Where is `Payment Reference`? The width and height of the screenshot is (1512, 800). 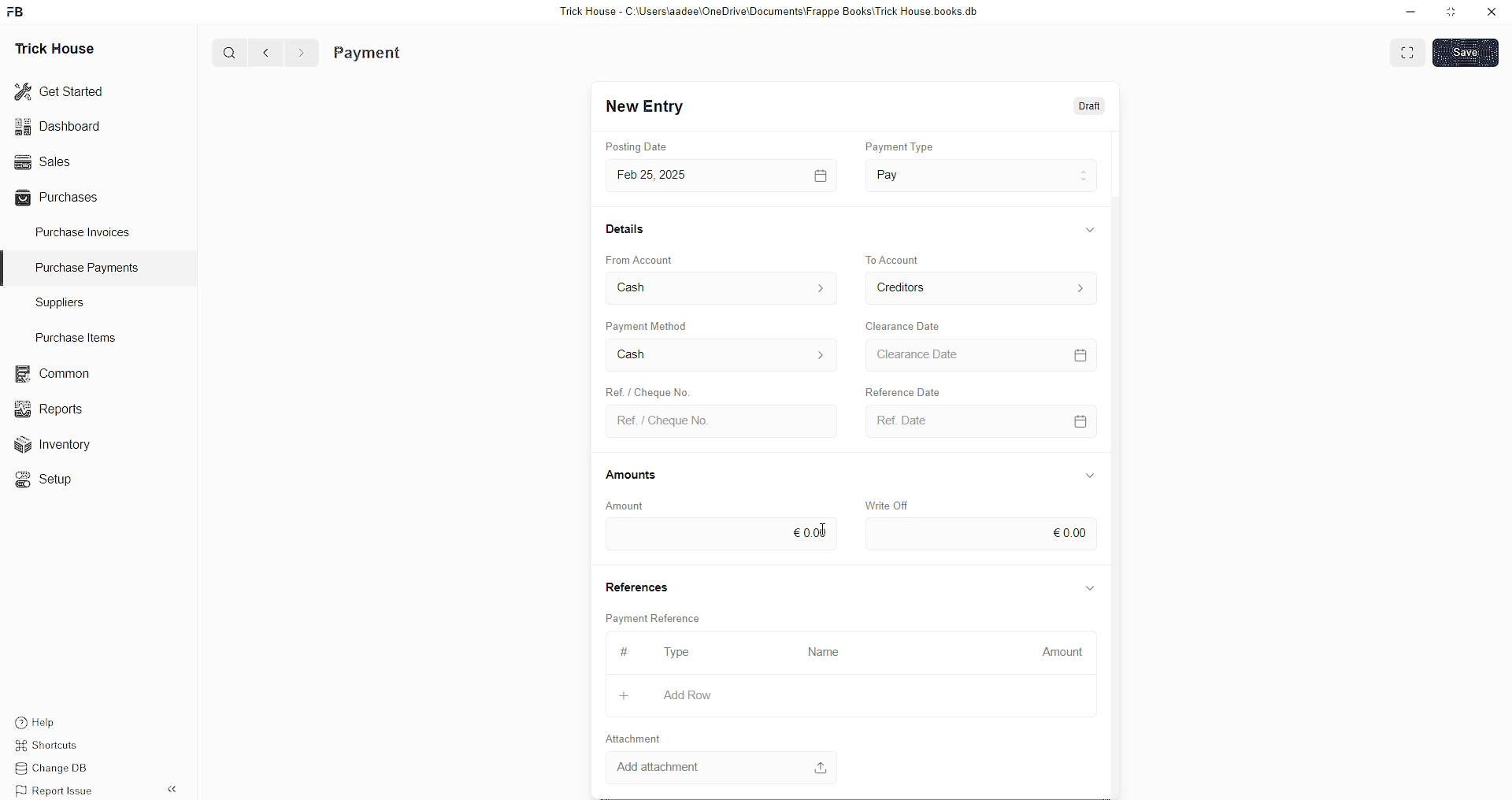
Payment Reference is located at coordinates (656, 617).